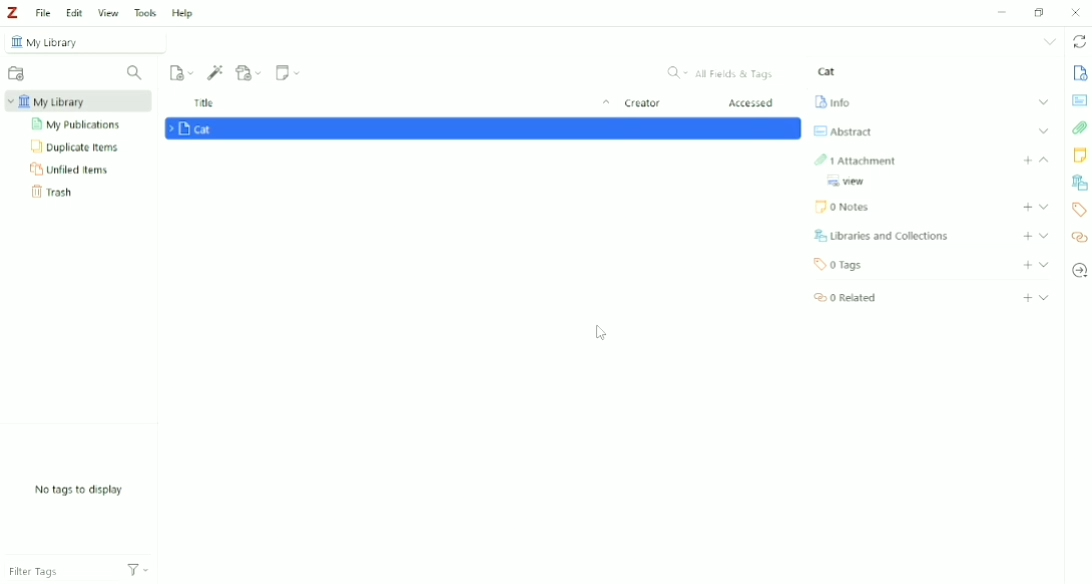  I want to click on Expand section, so click(1043, 218).